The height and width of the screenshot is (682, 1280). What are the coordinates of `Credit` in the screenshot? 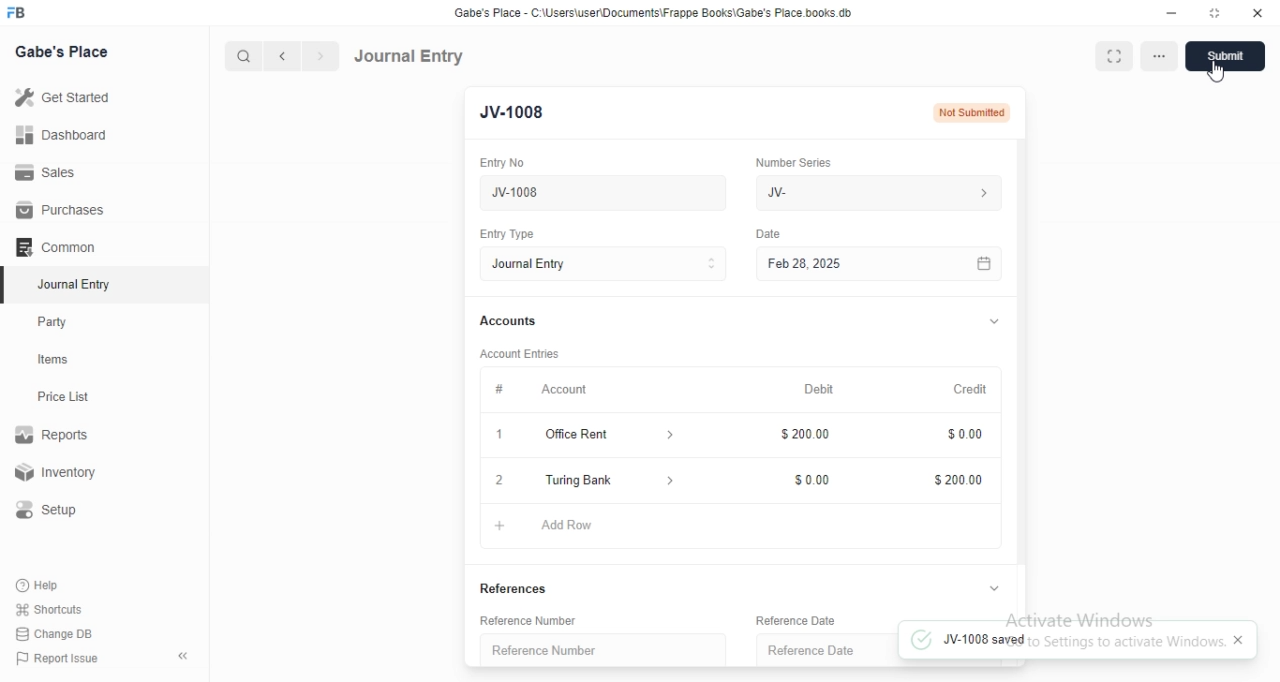 It's located at (970, 391).